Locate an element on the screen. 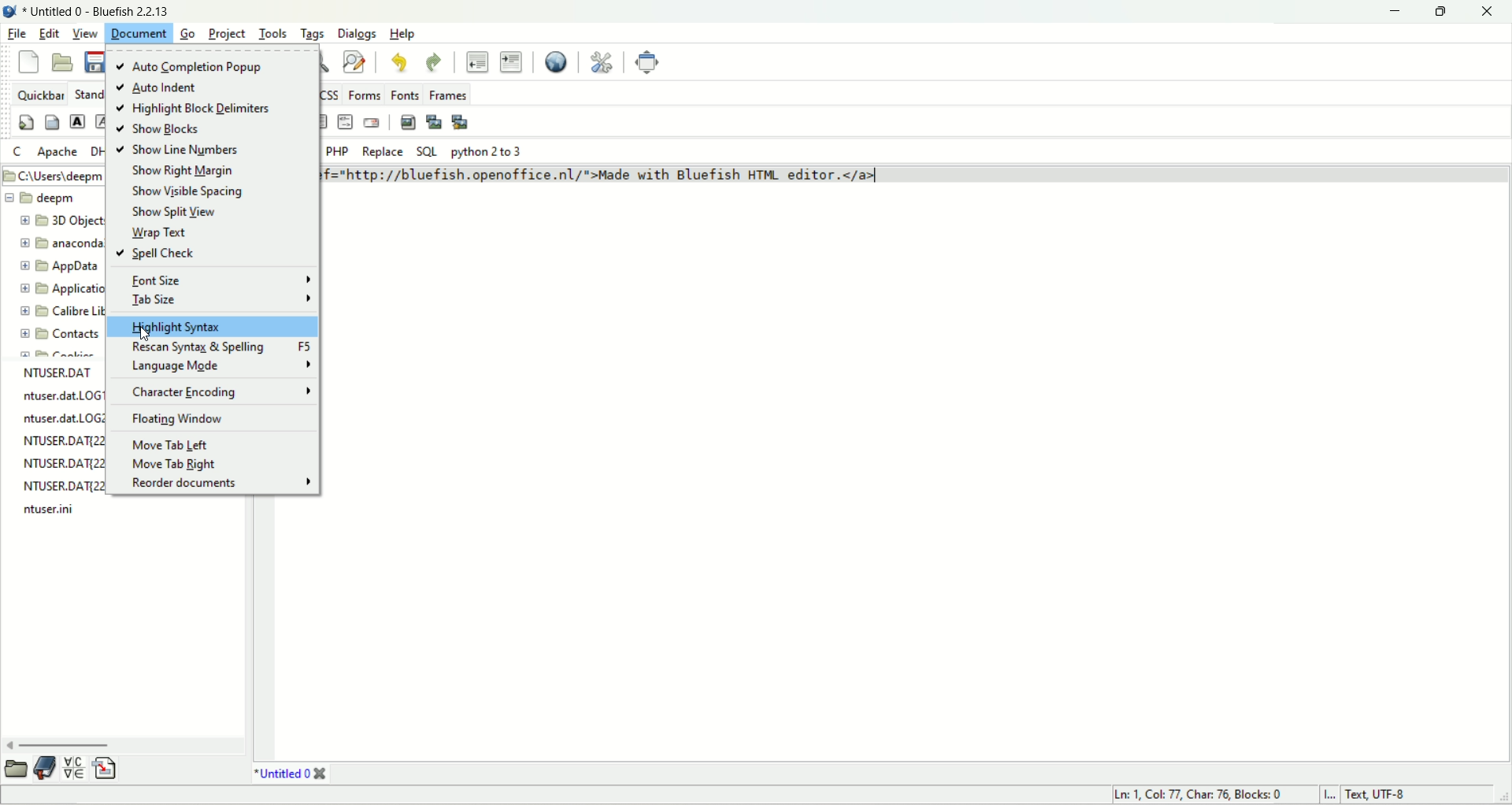 The height and width of the screenshot is (805, 1512). emphasize is located at coordinates (100, 127).